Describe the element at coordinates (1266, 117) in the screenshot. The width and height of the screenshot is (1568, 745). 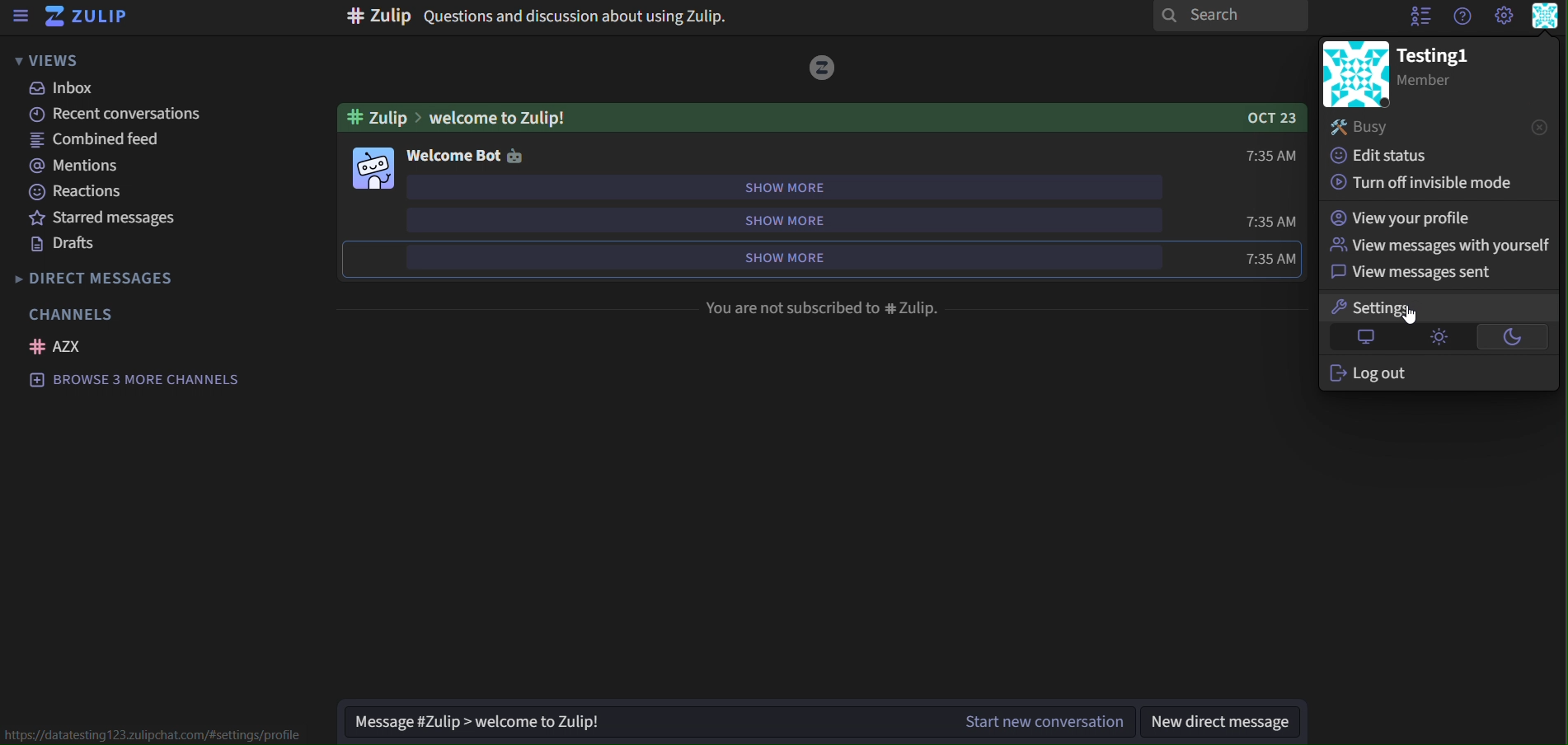
I see `OCT 23` at that location.